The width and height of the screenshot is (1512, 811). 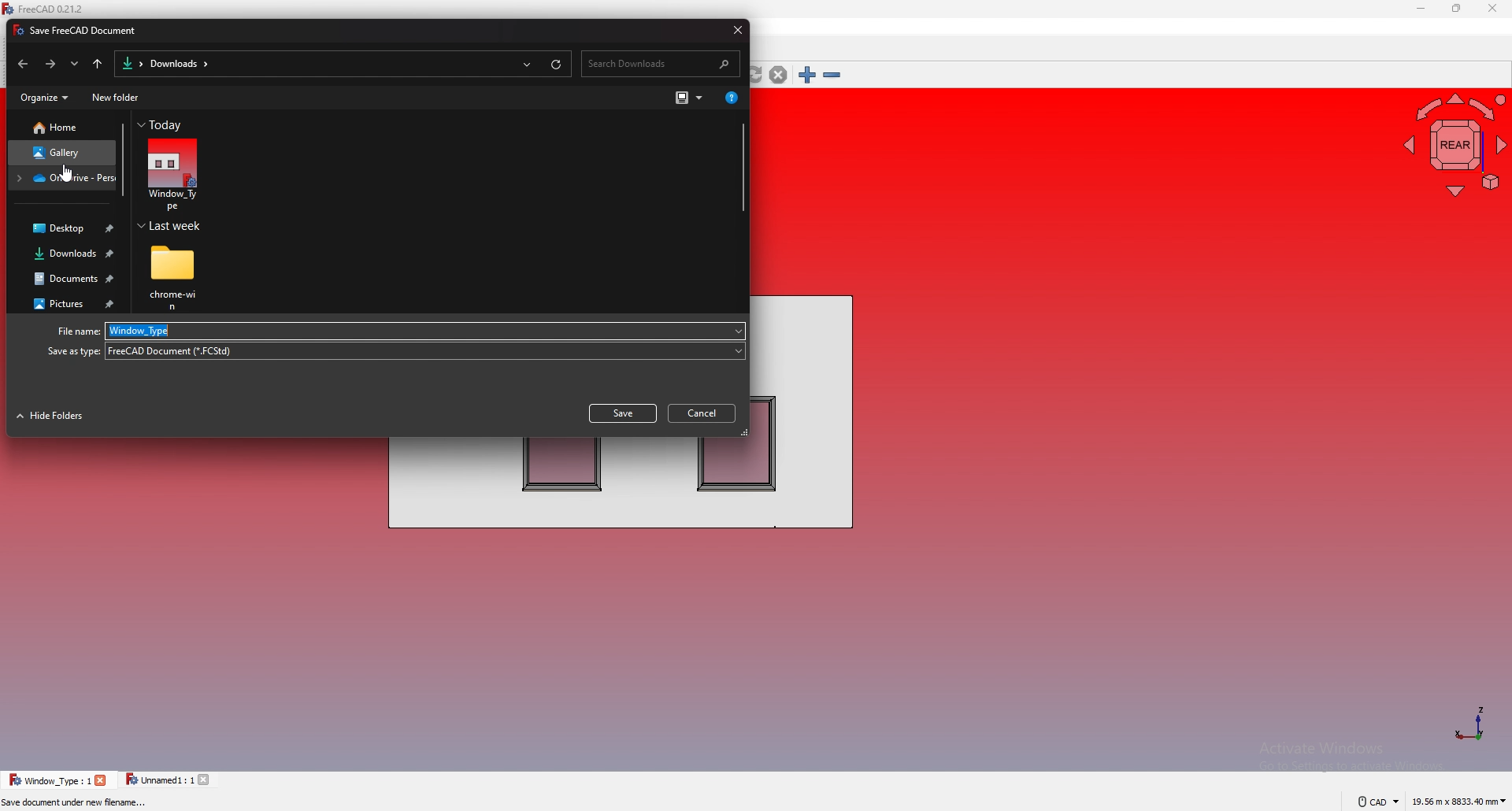 I want to click on close, so click(x=207, y=780).